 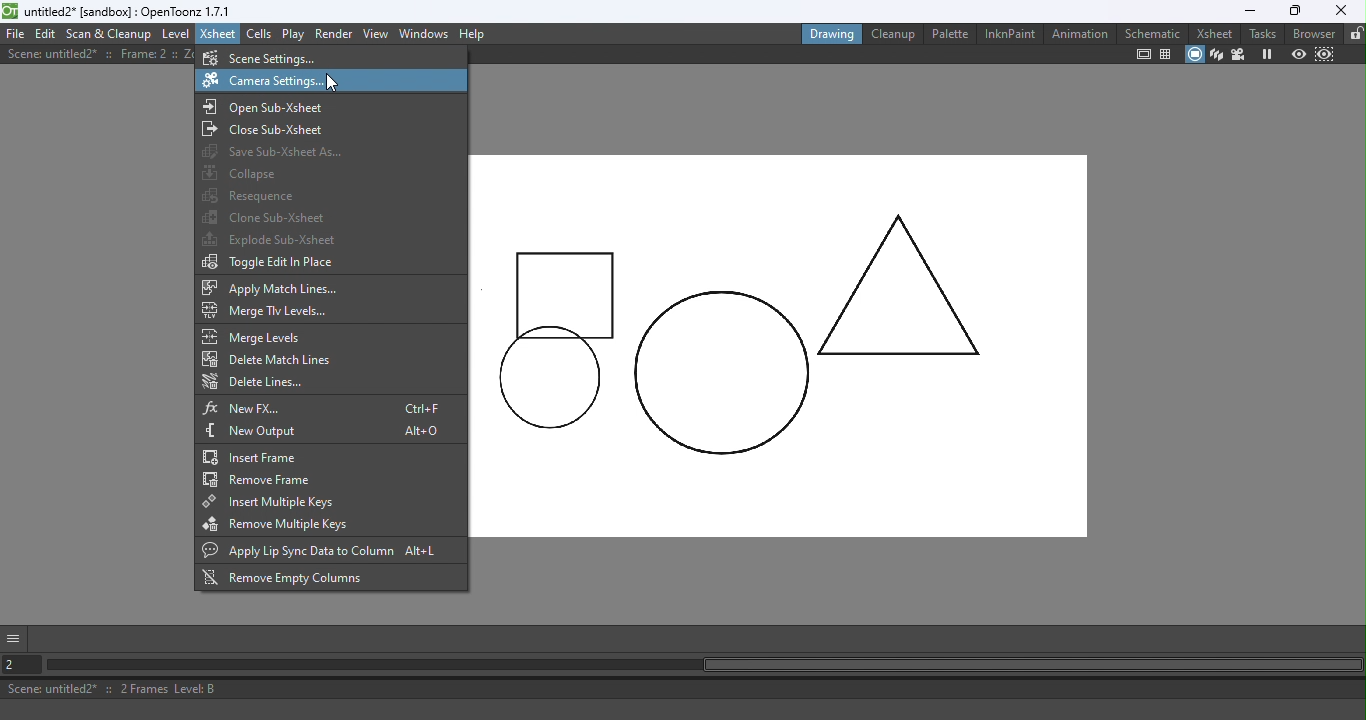 What do you see at coordinates (948, 34) in the screenshot?
I see `Palette` at bounding box center [948, 34].